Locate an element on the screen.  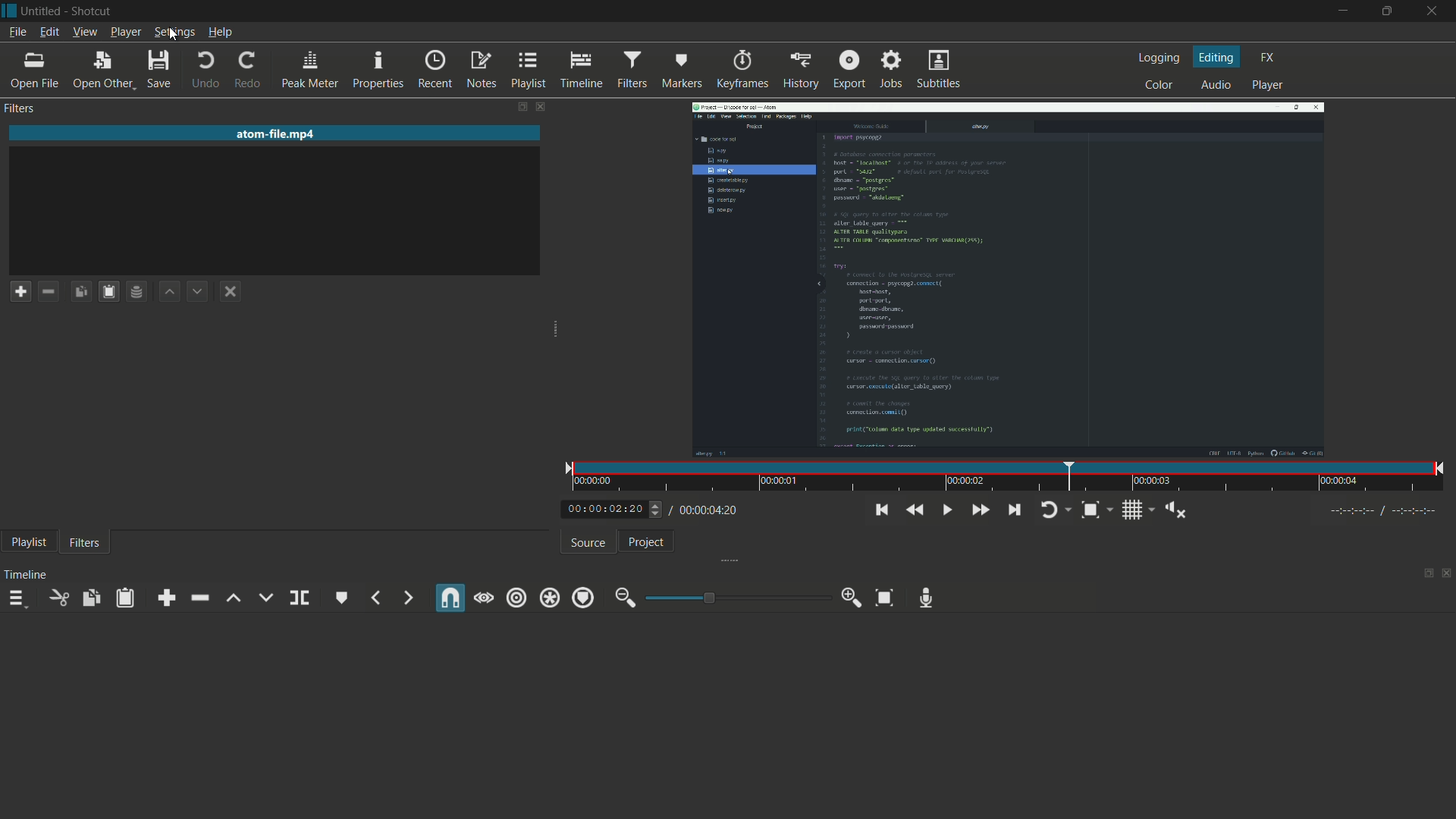
remove a filter is located at coordinates (49, 290).